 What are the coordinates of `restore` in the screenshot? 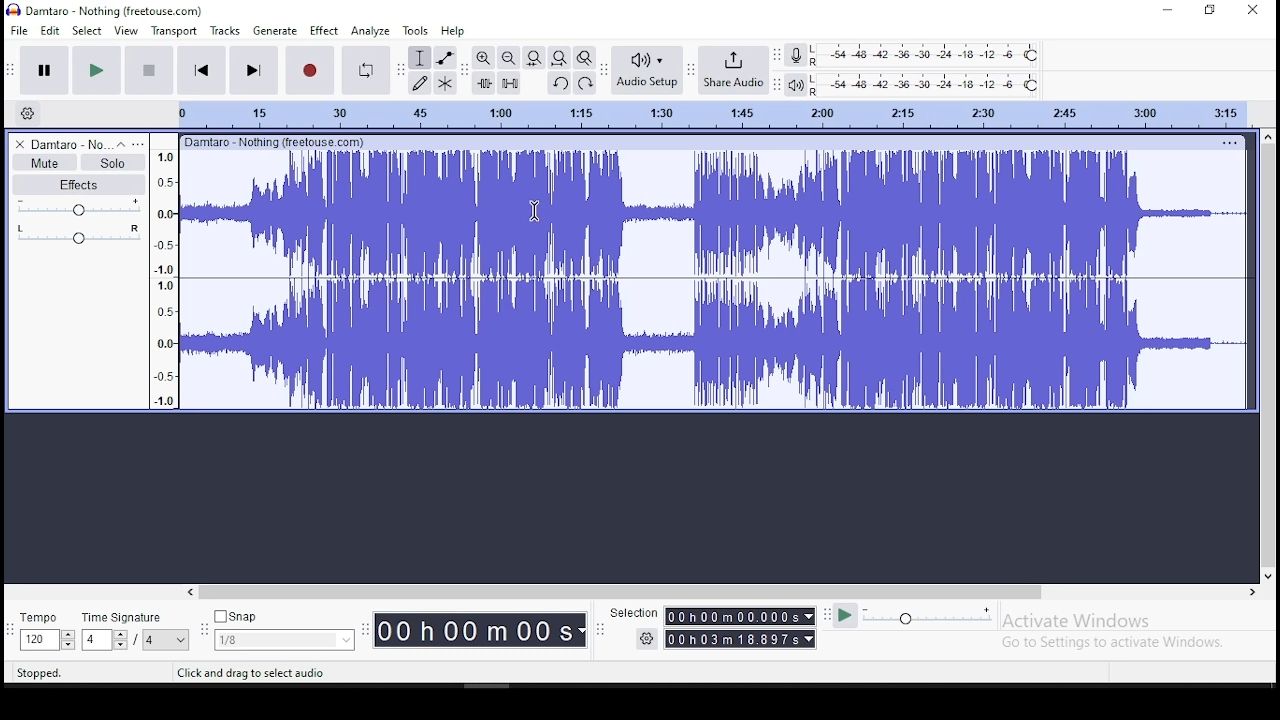 It's located at (1212, 9).